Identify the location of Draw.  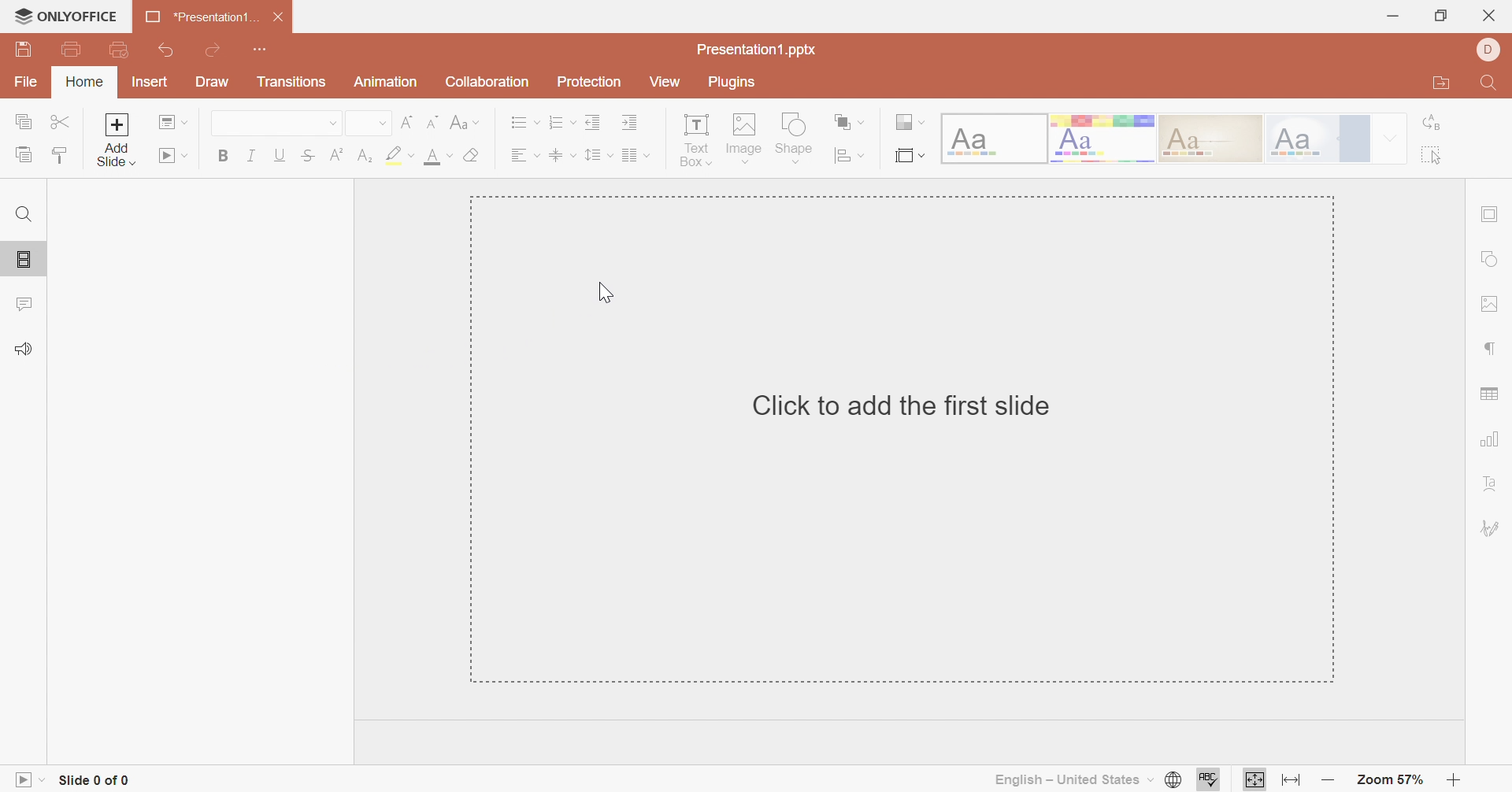
(213, 81).